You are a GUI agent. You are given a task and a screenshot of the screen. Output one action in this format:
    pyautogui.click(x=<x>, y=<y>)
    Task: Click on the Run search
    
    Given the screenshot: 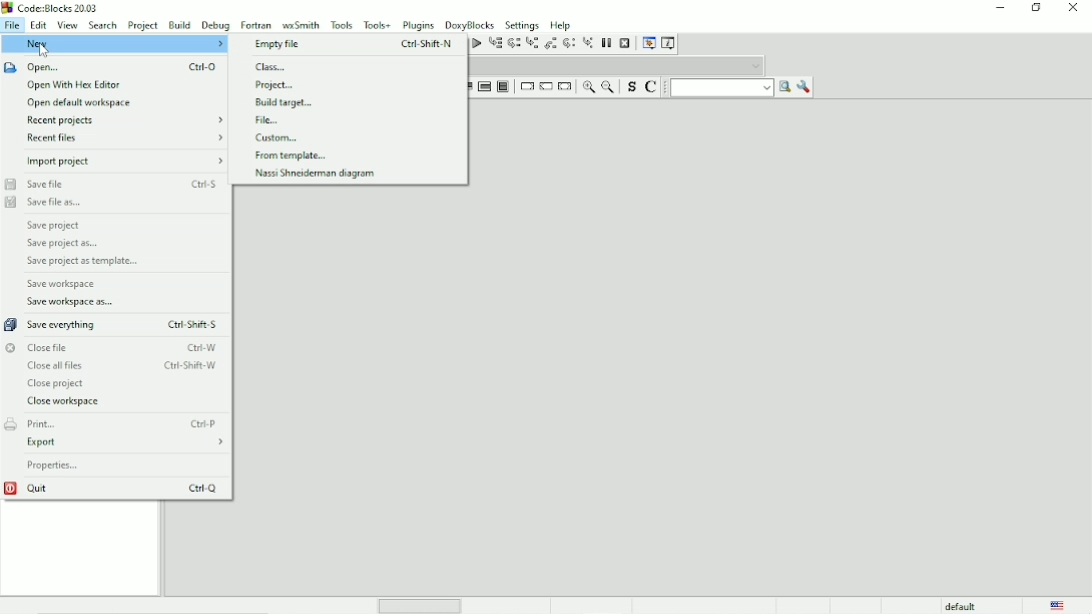 What is the action you would take?
    pyautogui.click(x=731, y=87)
    